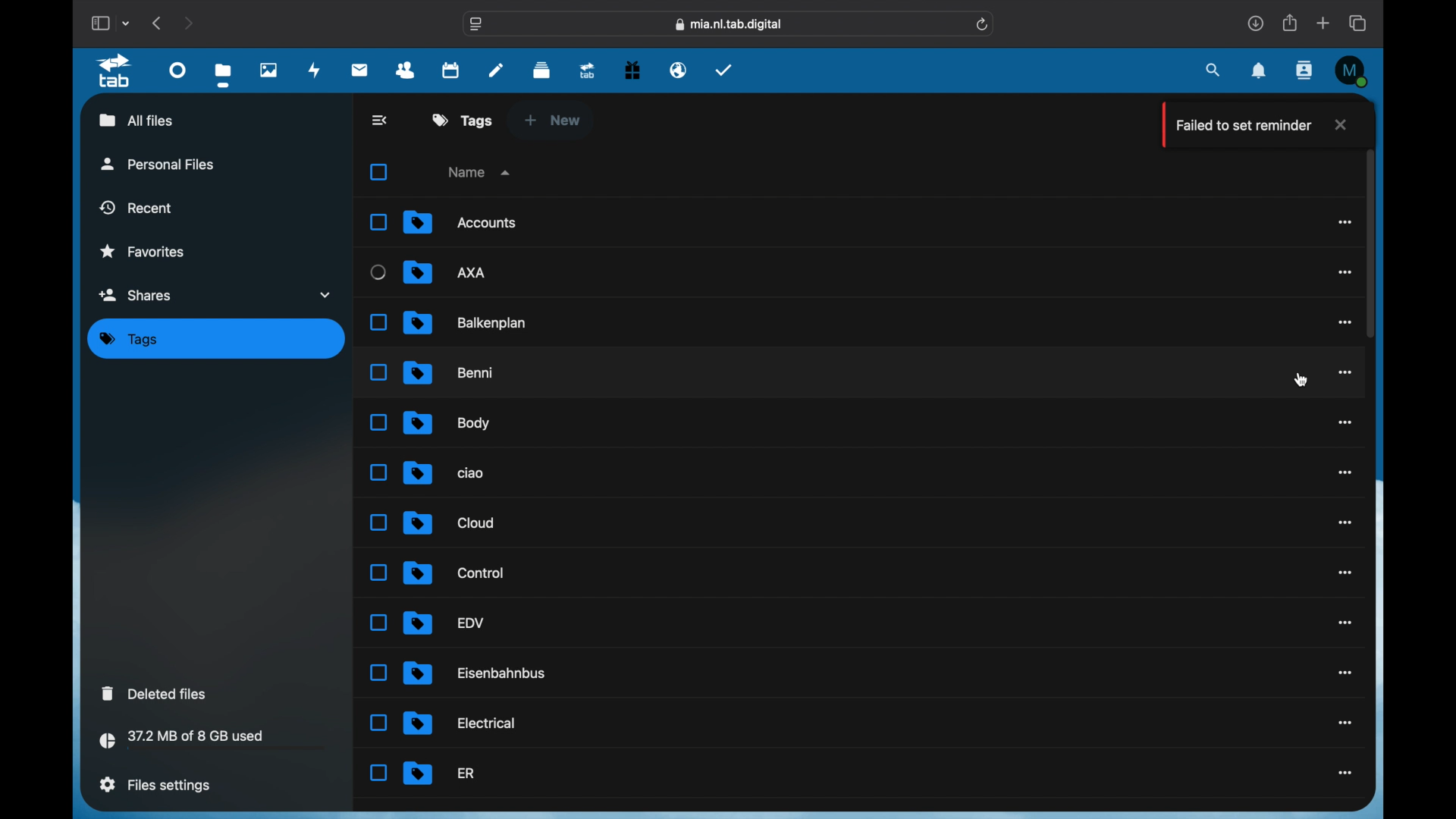  What do you see at coordinates (1343, 221) in the screenshot?
I see `more options` at bounding box center [1343, 221].